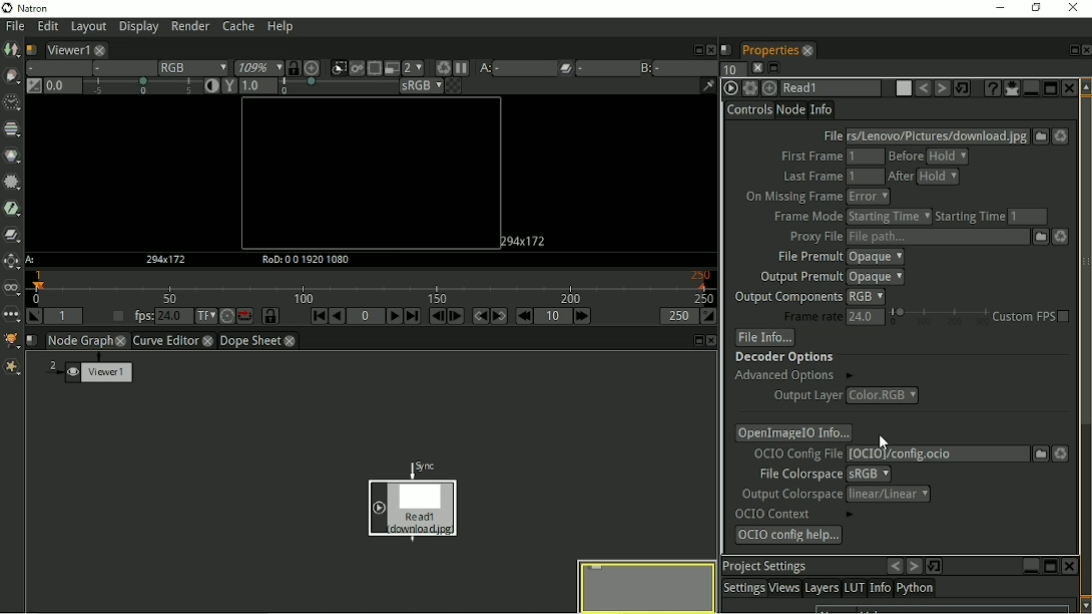 This screenshot has height=614, width=1092. Describe the element at coordinates (191, 67) in the screenshot. I see `RGB` at that location.